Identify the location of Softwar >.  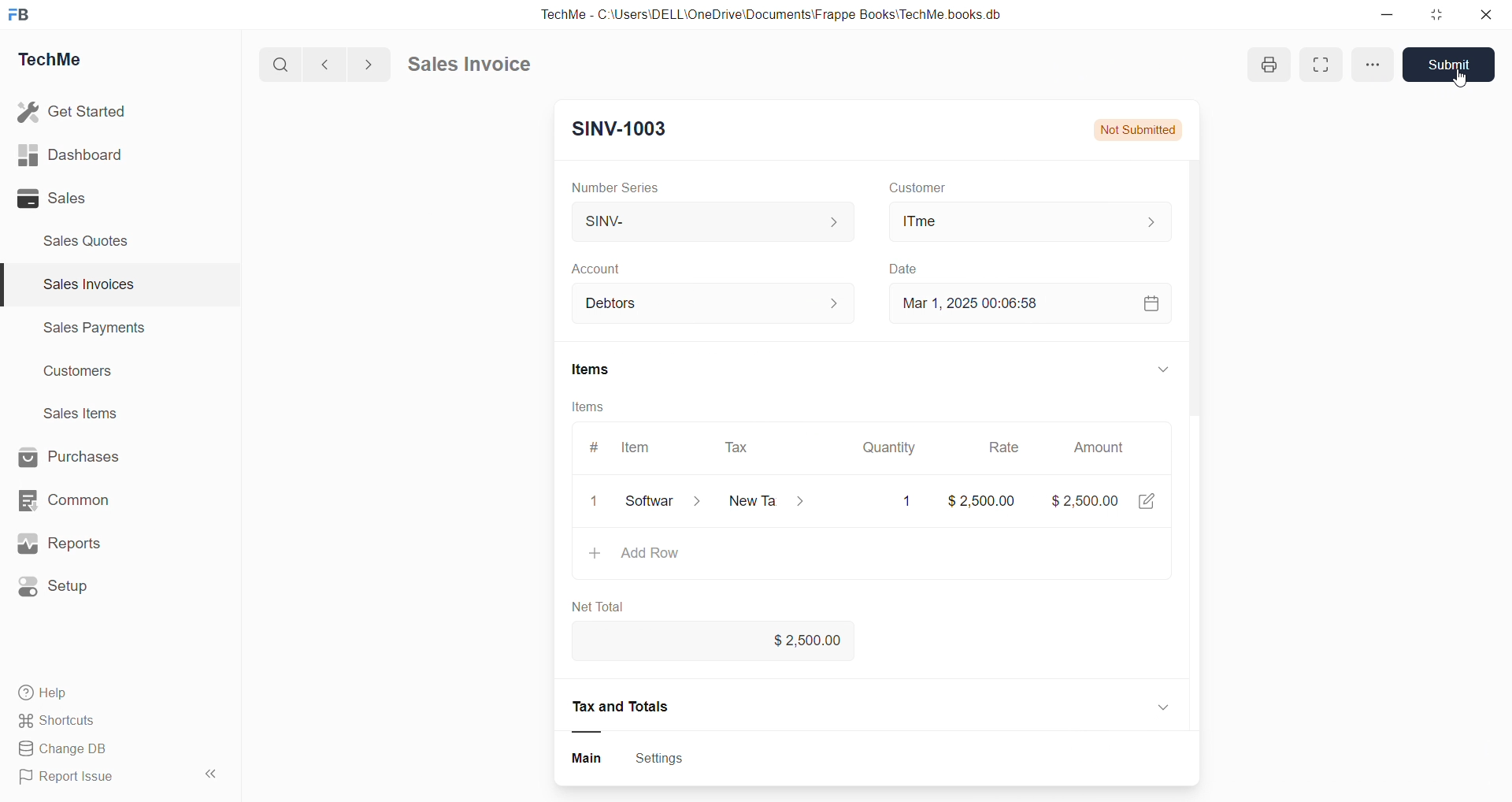
(661, 502).